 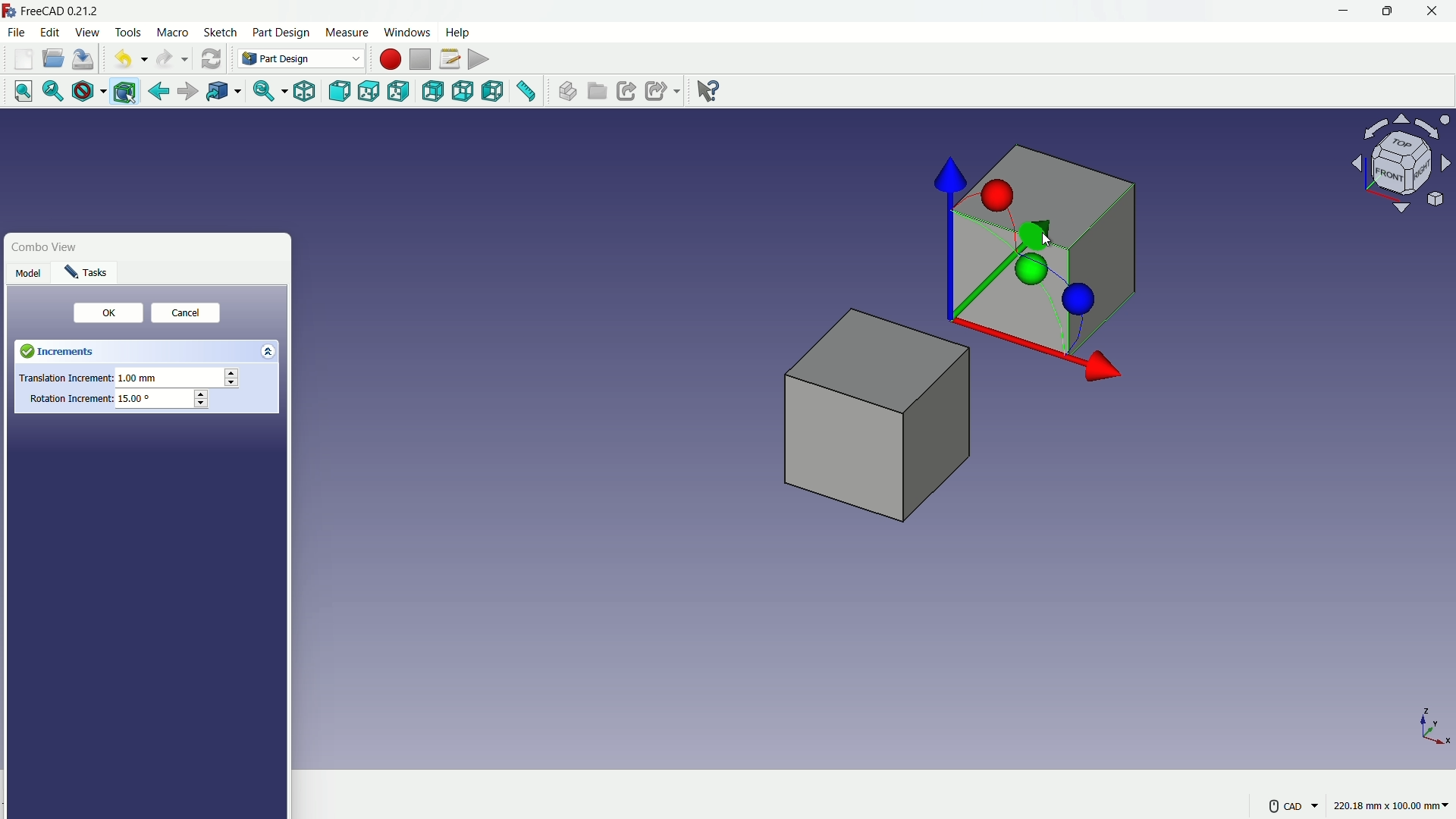 What do you see at coordinates (52, 32) in the screenshot?
I see `edit` at bounding box center [52, 32].